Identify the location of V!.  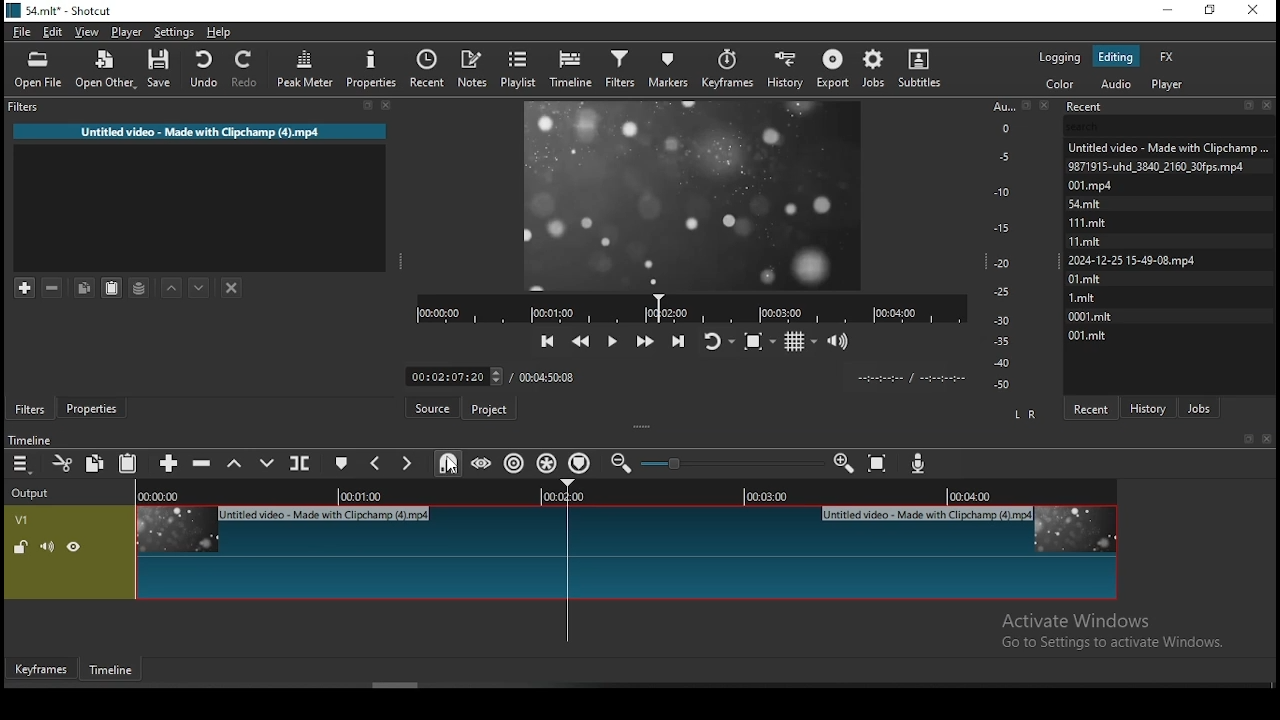
(19, 518).